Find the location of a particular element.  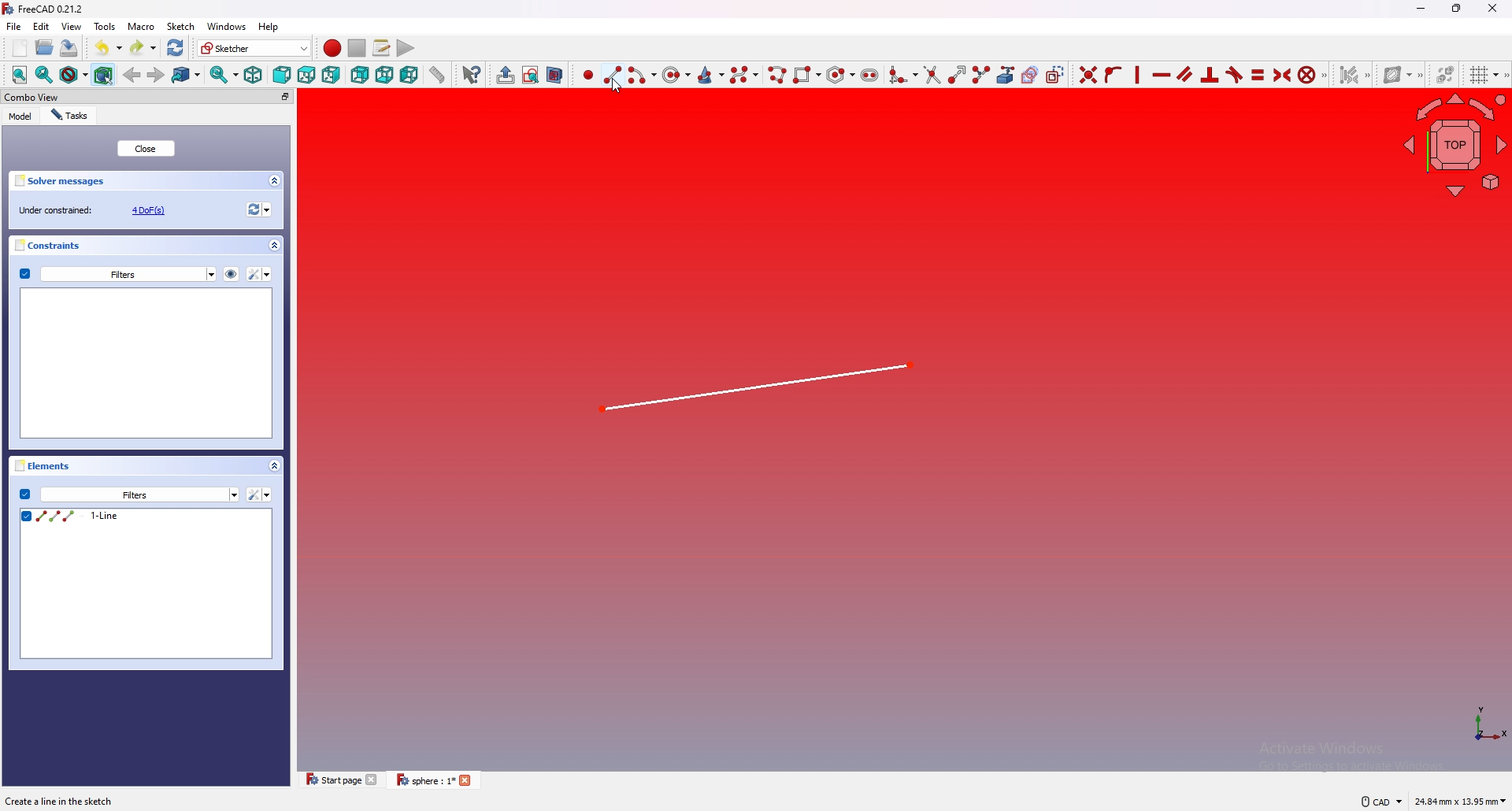

Filter is located at coordinates (260, 494).